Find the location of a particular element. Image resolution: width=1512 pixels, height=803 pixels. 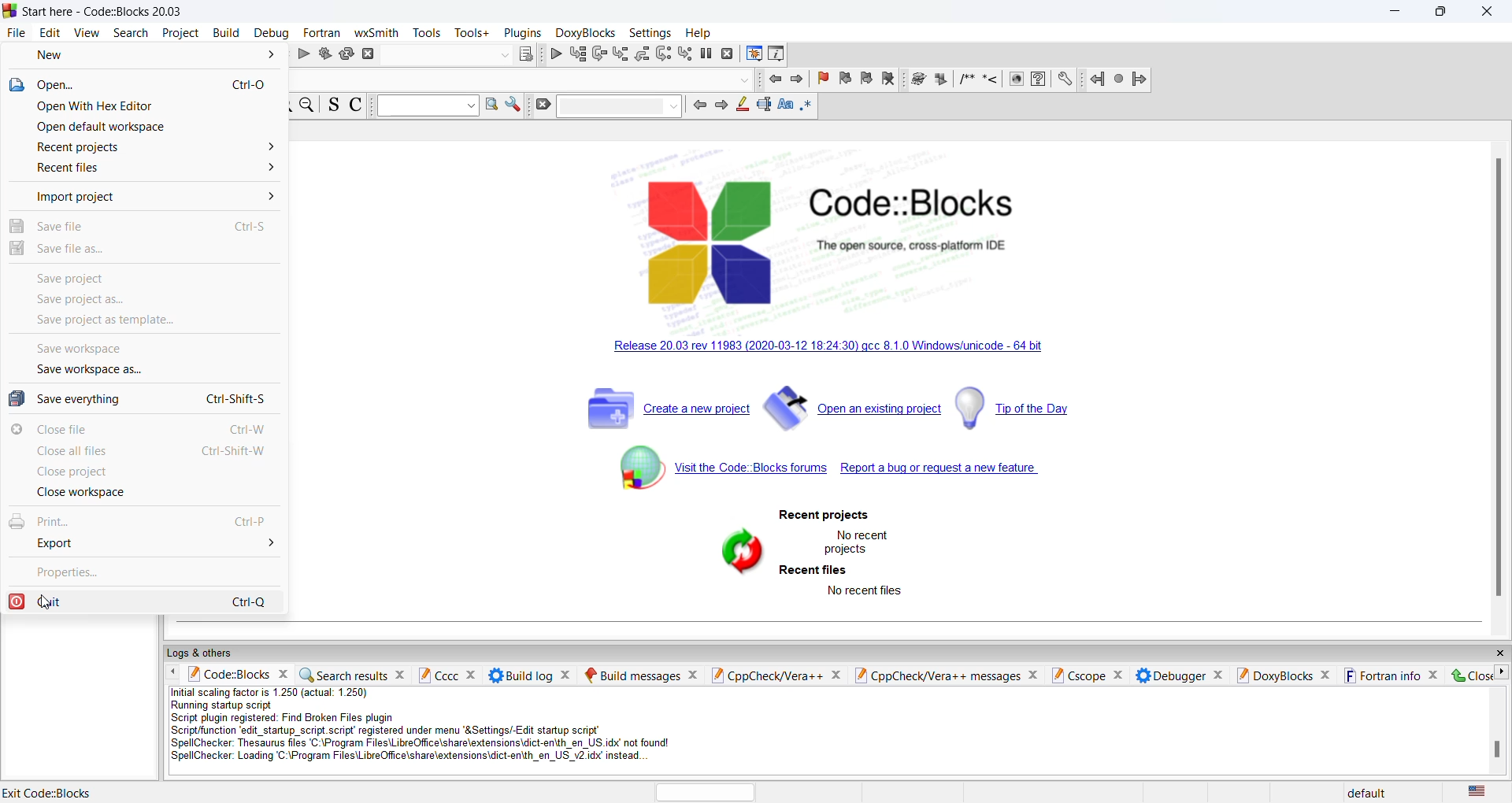

debugger windows is located at coordinates (752, 55).